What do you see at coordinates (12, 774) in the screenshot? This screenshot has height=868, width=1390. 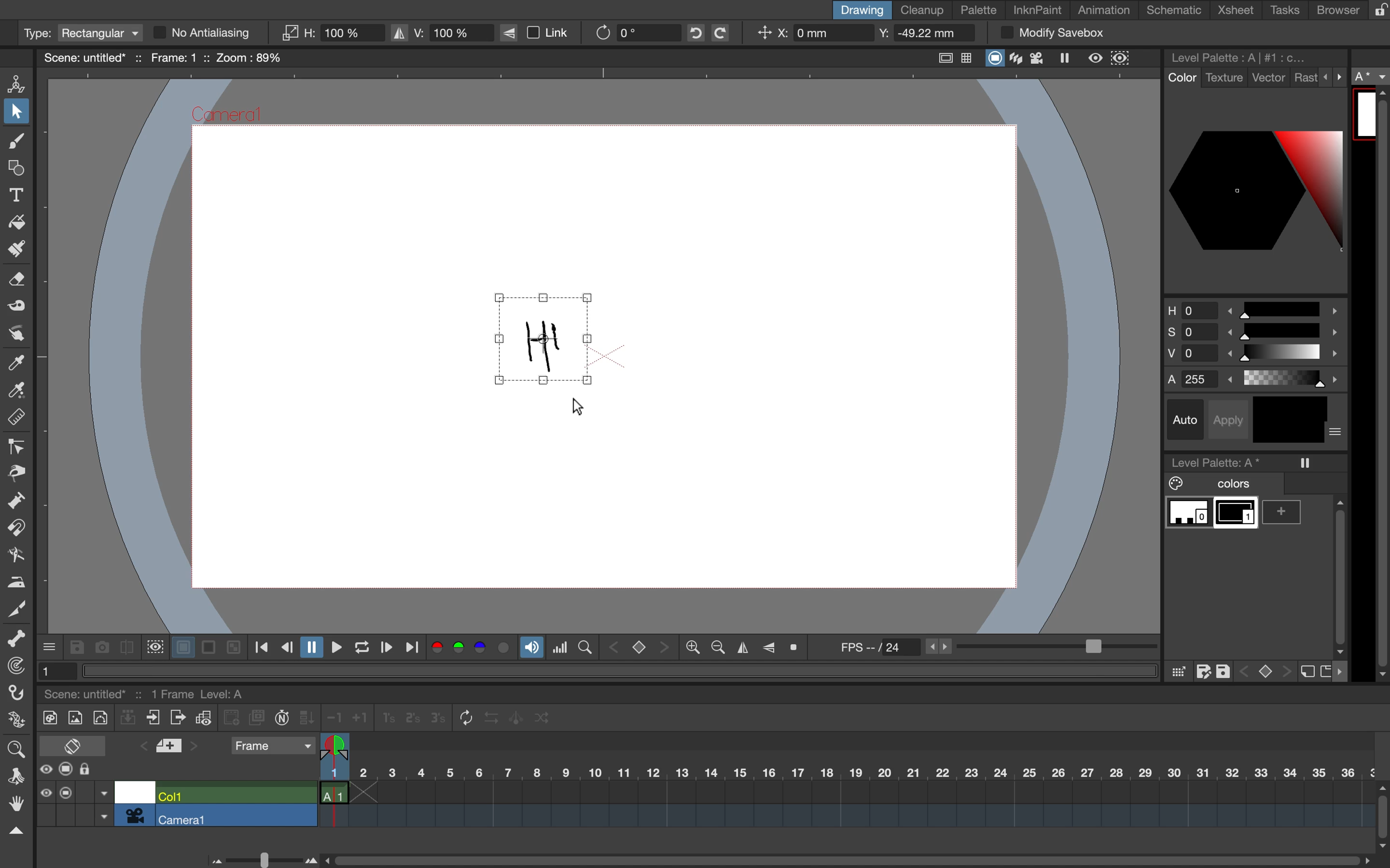 I see `rotate tool` at bounding box center [12, 774].